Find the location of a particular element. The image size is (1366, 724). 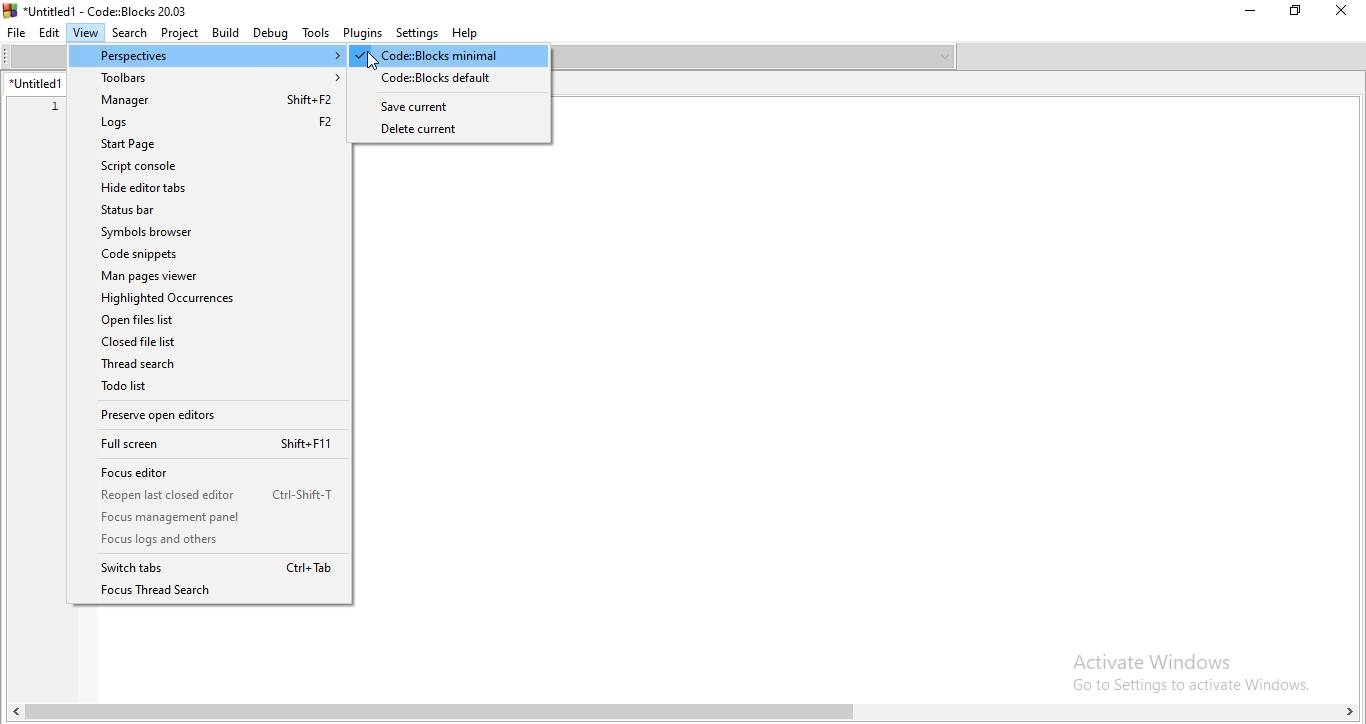

Highlighted Occurences is located at coordinates (211, 295).